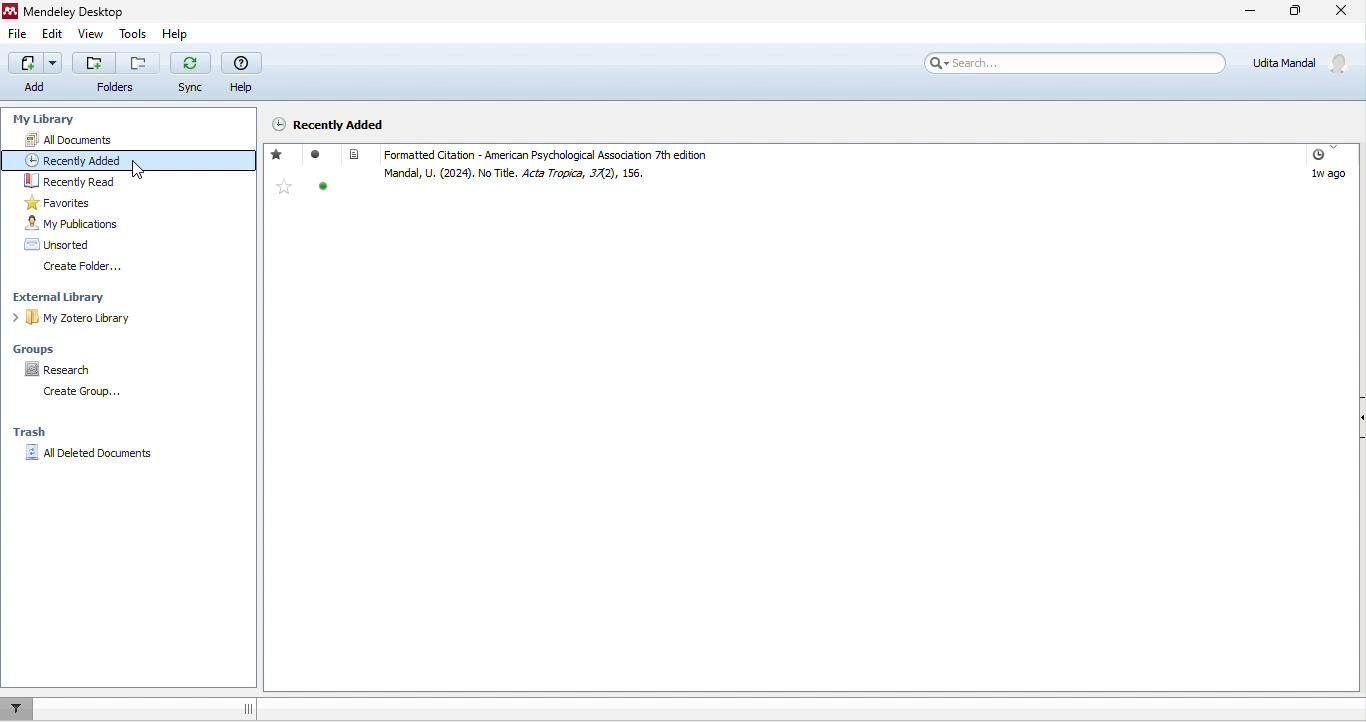 Image resolution: width=1366 pixels, height=722 pixels. Describe the element at coordinates (83, 318) in the screenshot. I see `my zotero library` at that location.